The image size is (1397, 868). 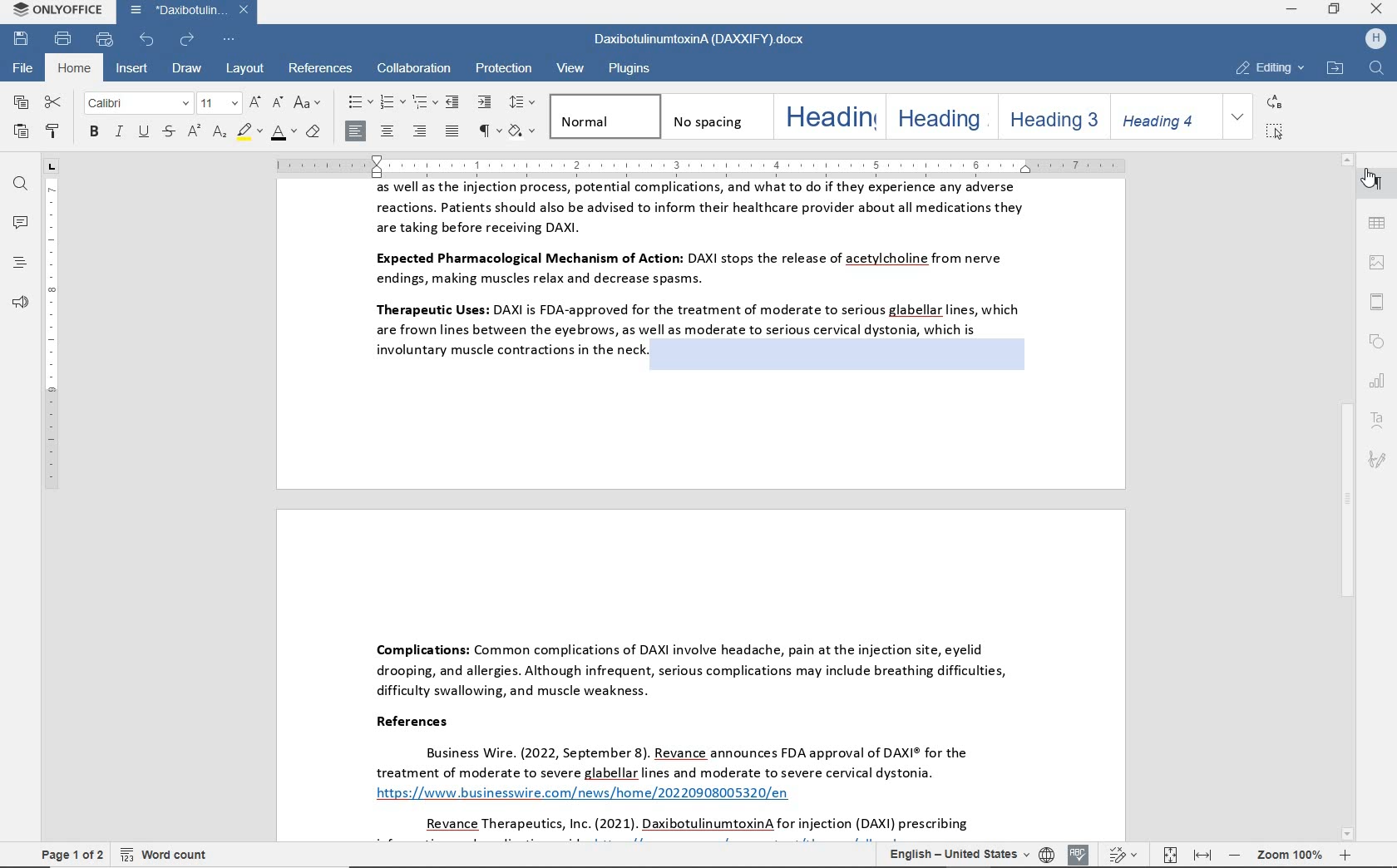 What do you see at coordinates (1272, 101) in the screenshot?
I see `replace` at bounding box center [1272, 101].